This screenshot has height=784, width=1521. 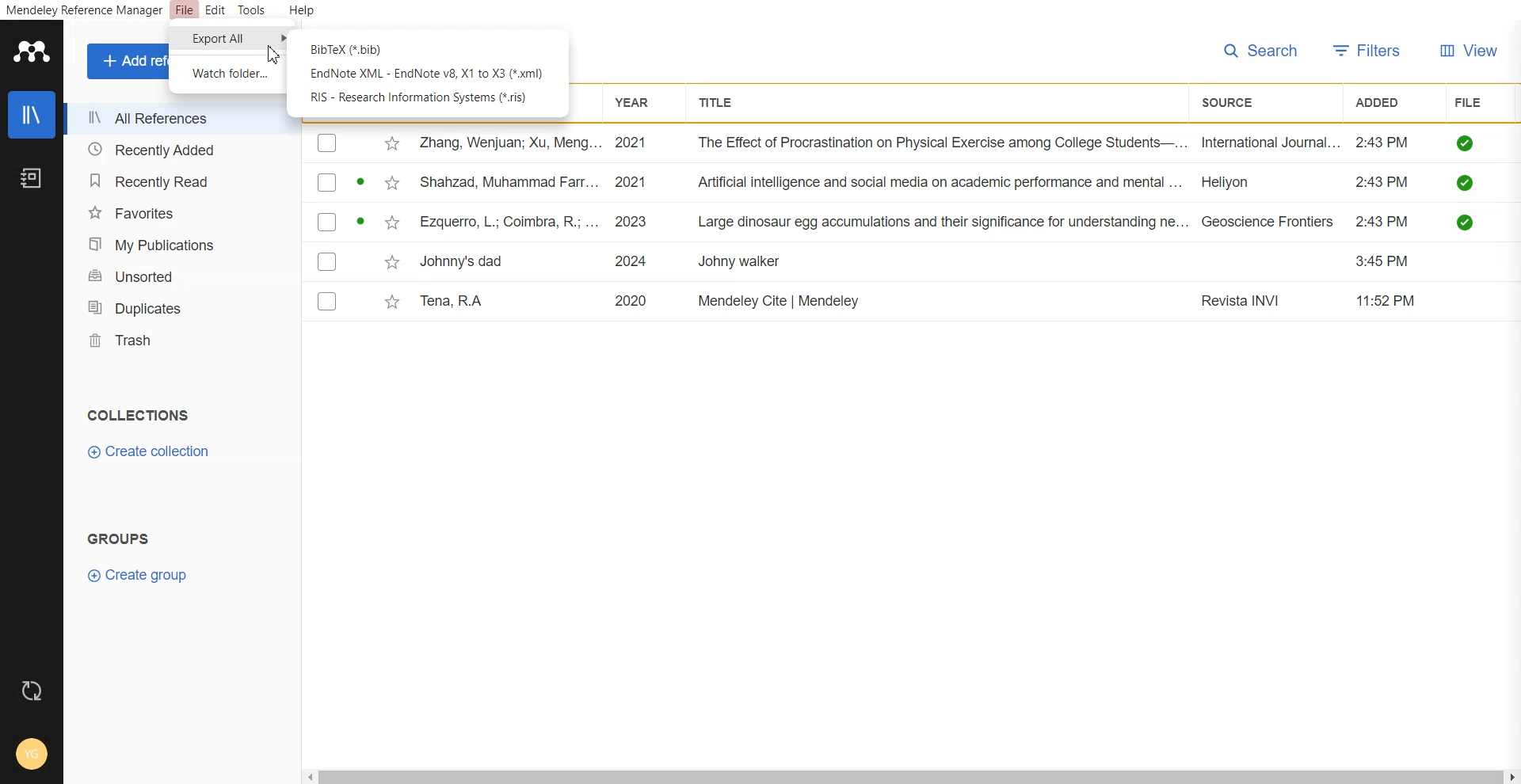 What do you see at coordinates (1467, 222) in the screenshot?
I see `saved` at bounding box center [1467, 222].